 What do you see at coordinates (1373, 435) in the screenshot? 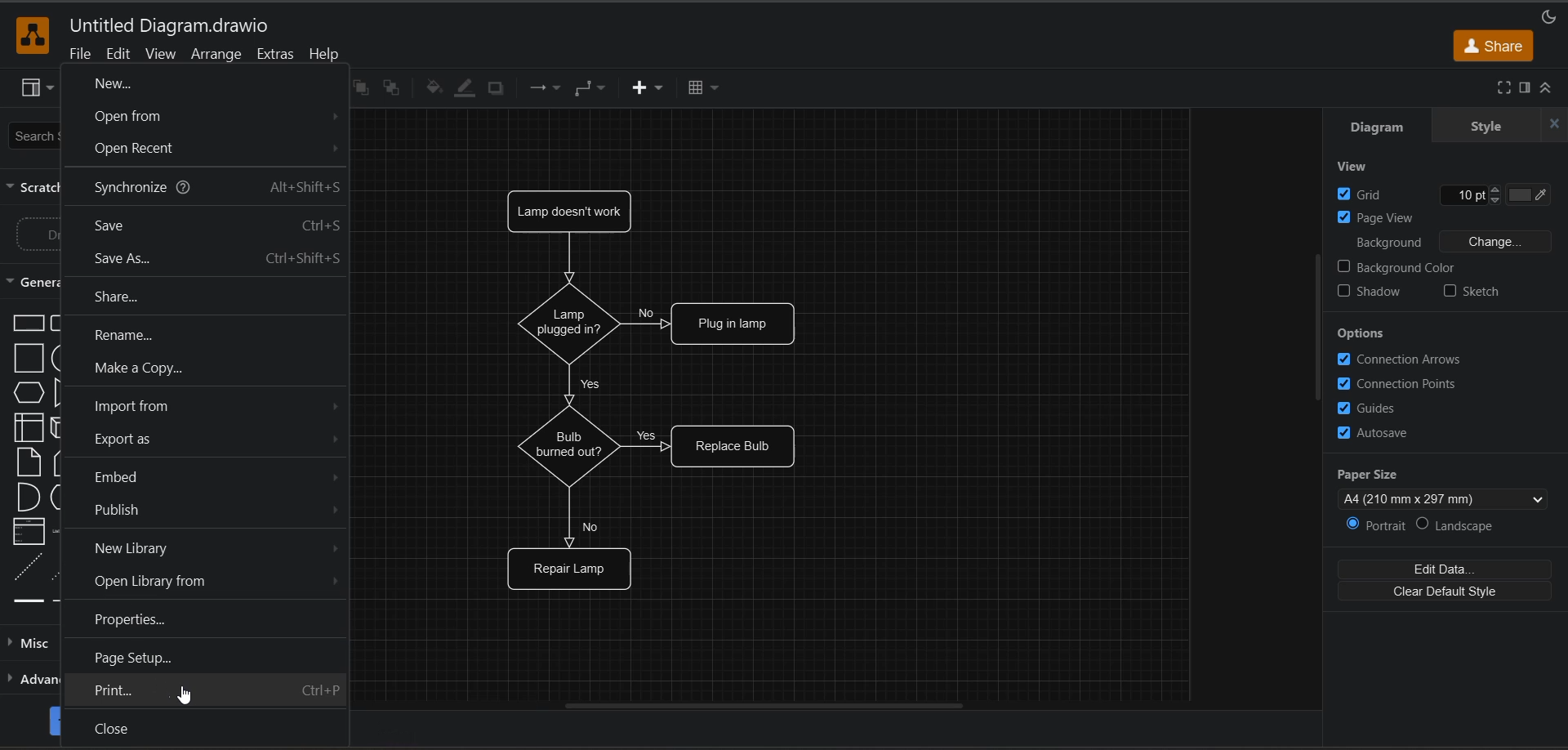
I see `autosave` at bounding box center [1373, 435].